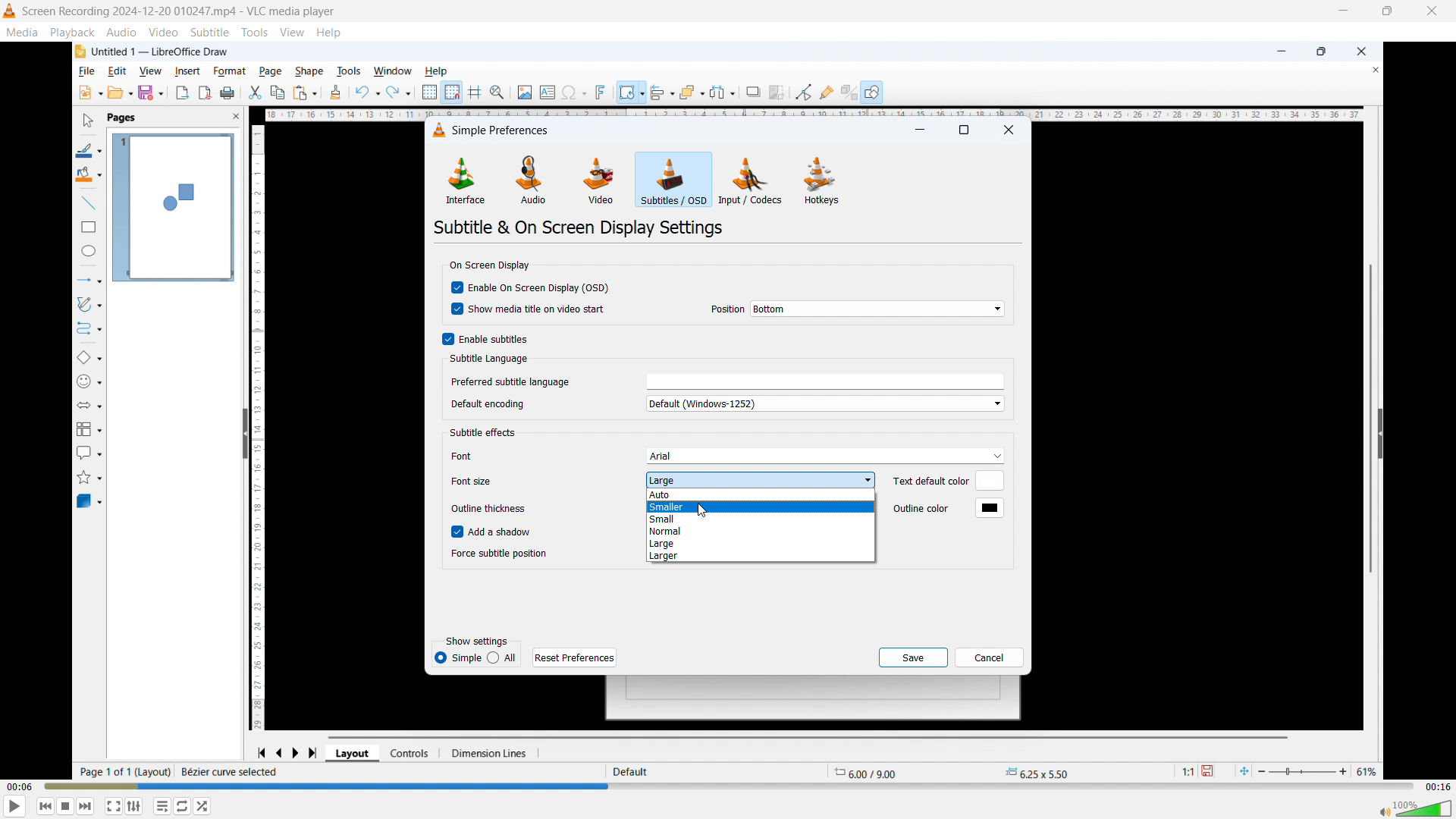 This screenshot has height=819, width=1456. What do you see at coordinates (1014, 389) in the screenshot?
I see `Vertical scroll bar ` at bounding box center [1014, 389].